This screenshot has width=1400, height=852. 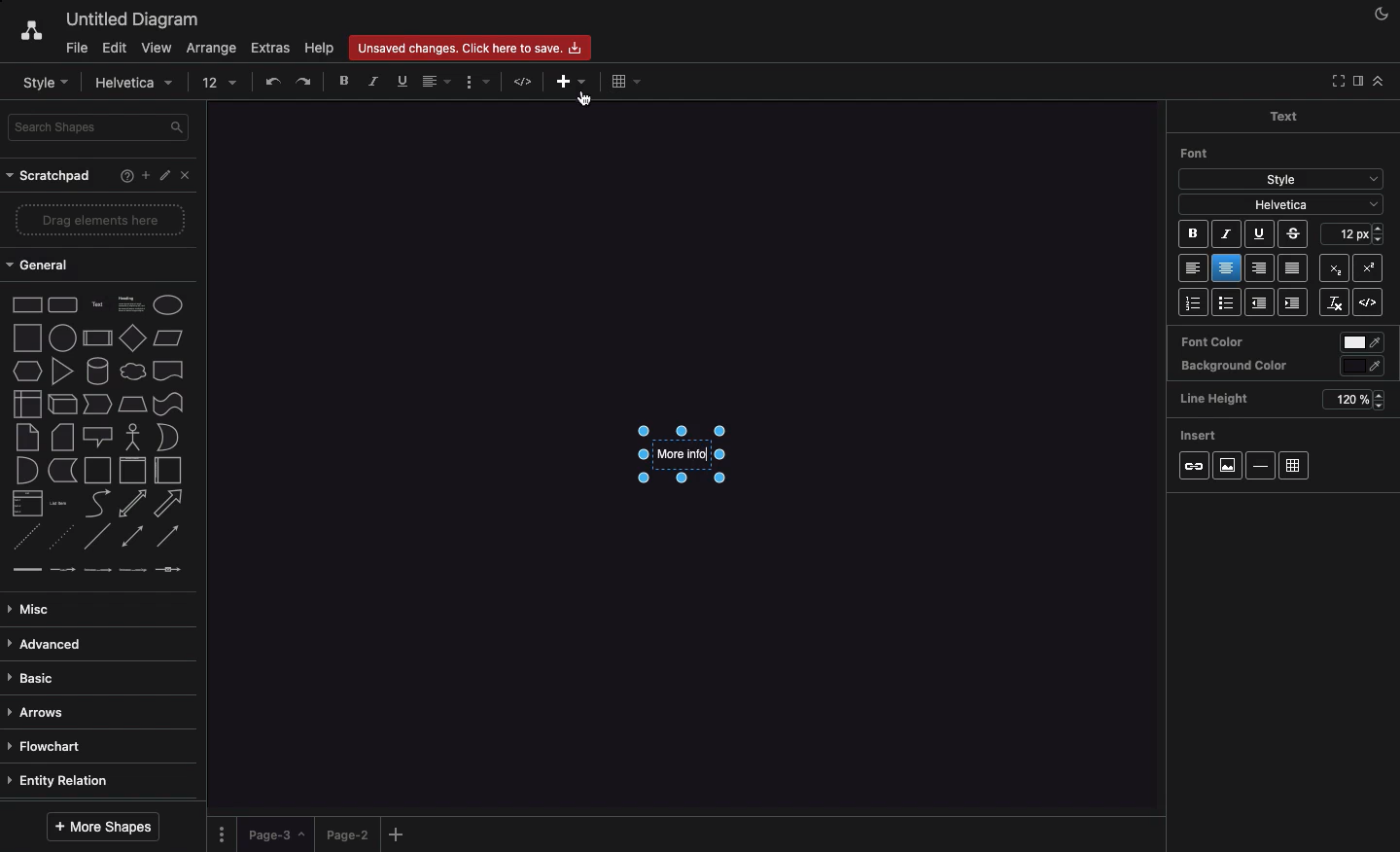 I want to click on connector with symbol, so click(x=171, y=569).